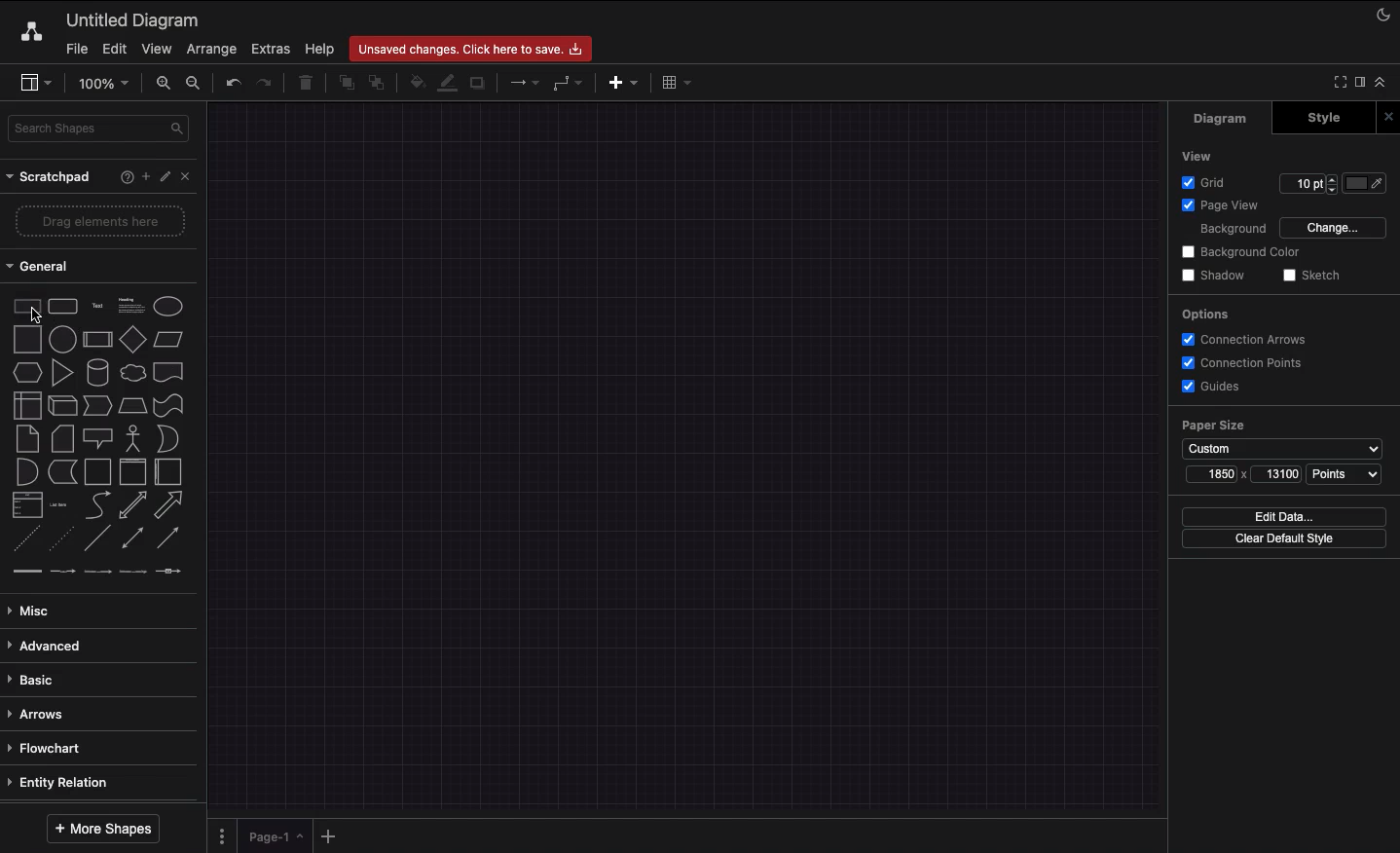  Describe the element at coordinates (1382, 82) in the screenshot. I see `Collapse` at that location.